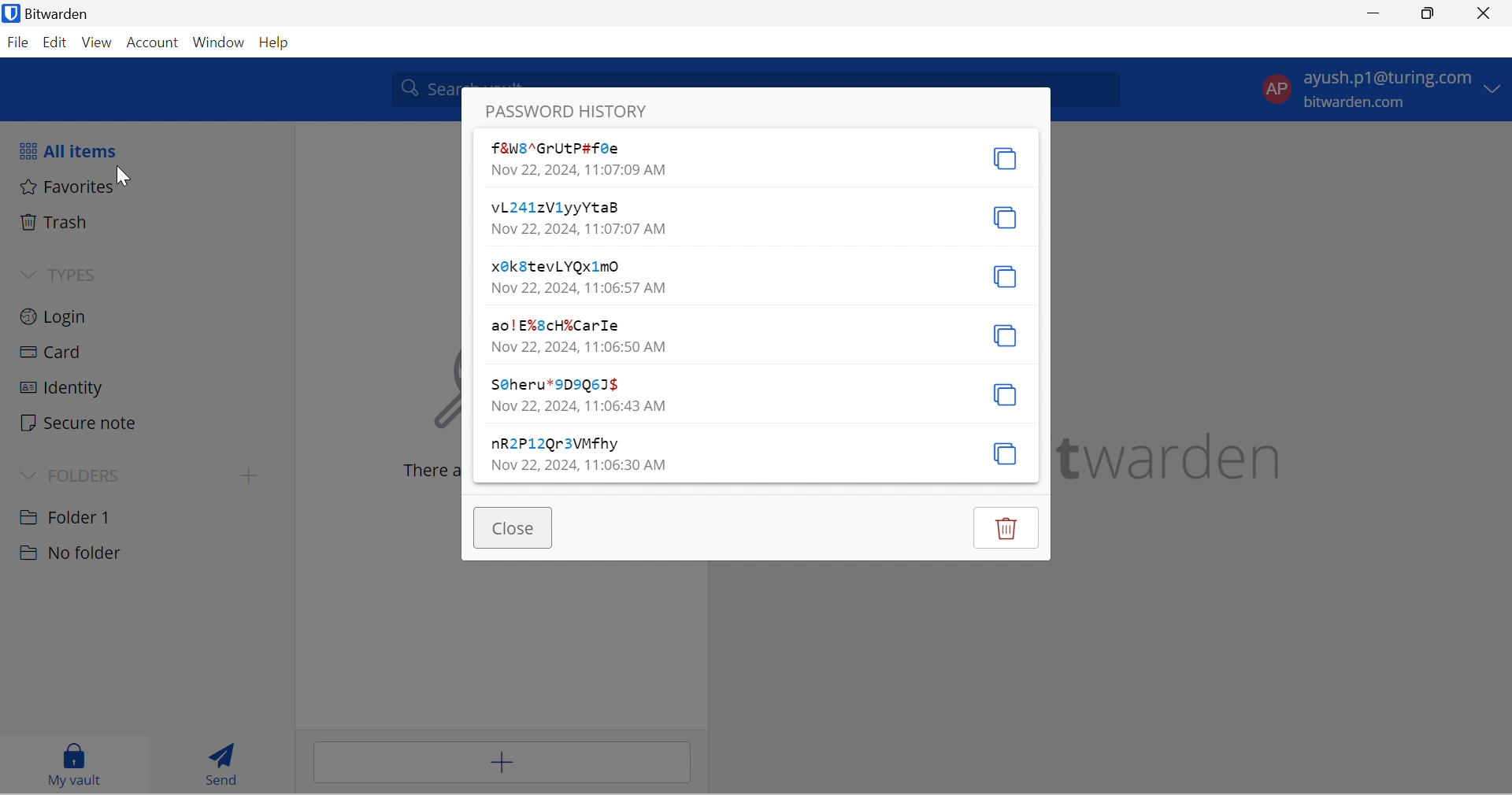 The image size is (1512, 795). What do you see at coordinates (69, 764) in the screenshot?
I see `My vault` at bounding box center [69, 764].